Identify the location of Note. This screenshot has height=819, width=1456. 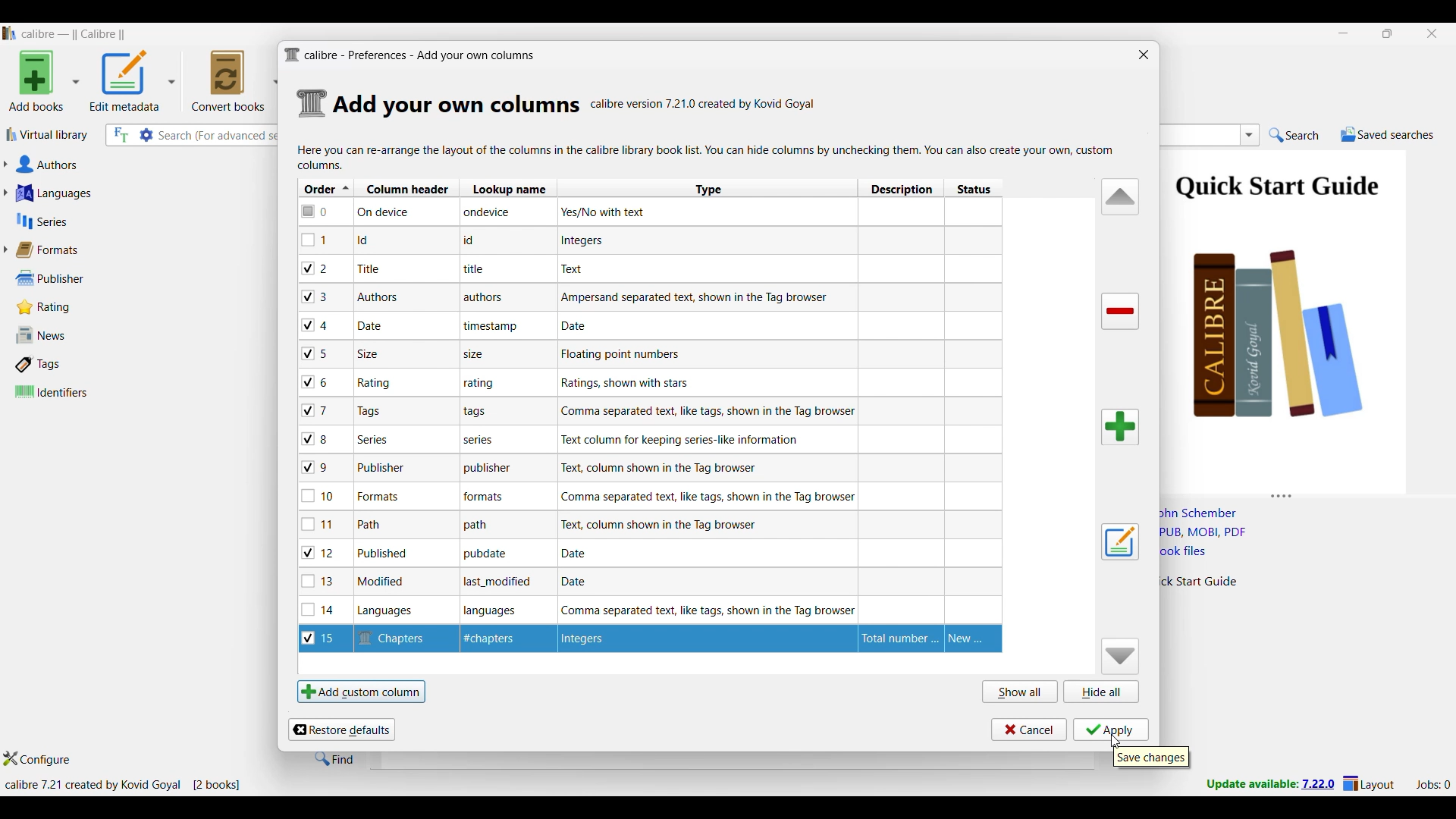
(498, 640).